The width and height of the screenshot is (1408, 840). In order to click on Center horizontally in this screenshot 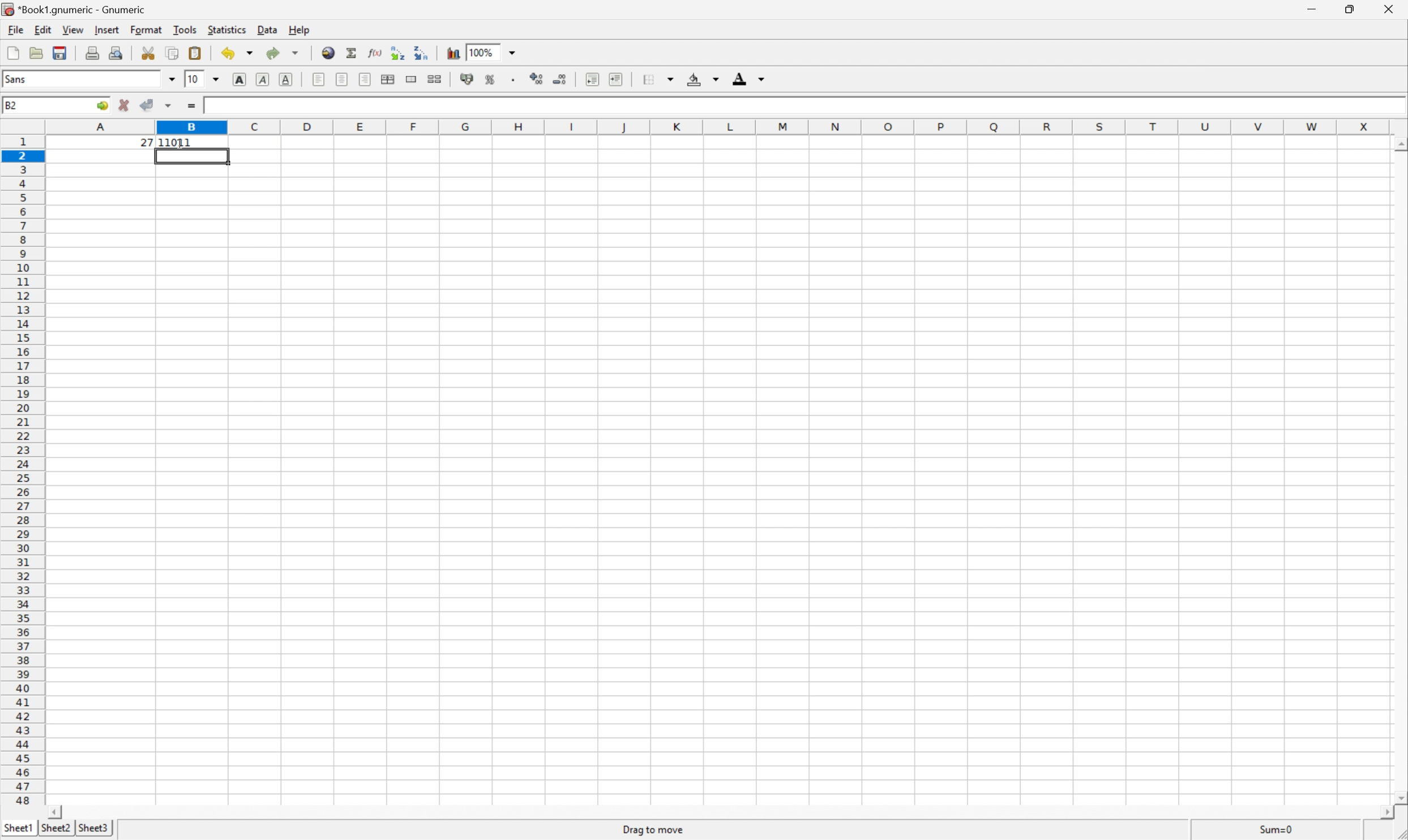, I will do `click(340, 78)`.